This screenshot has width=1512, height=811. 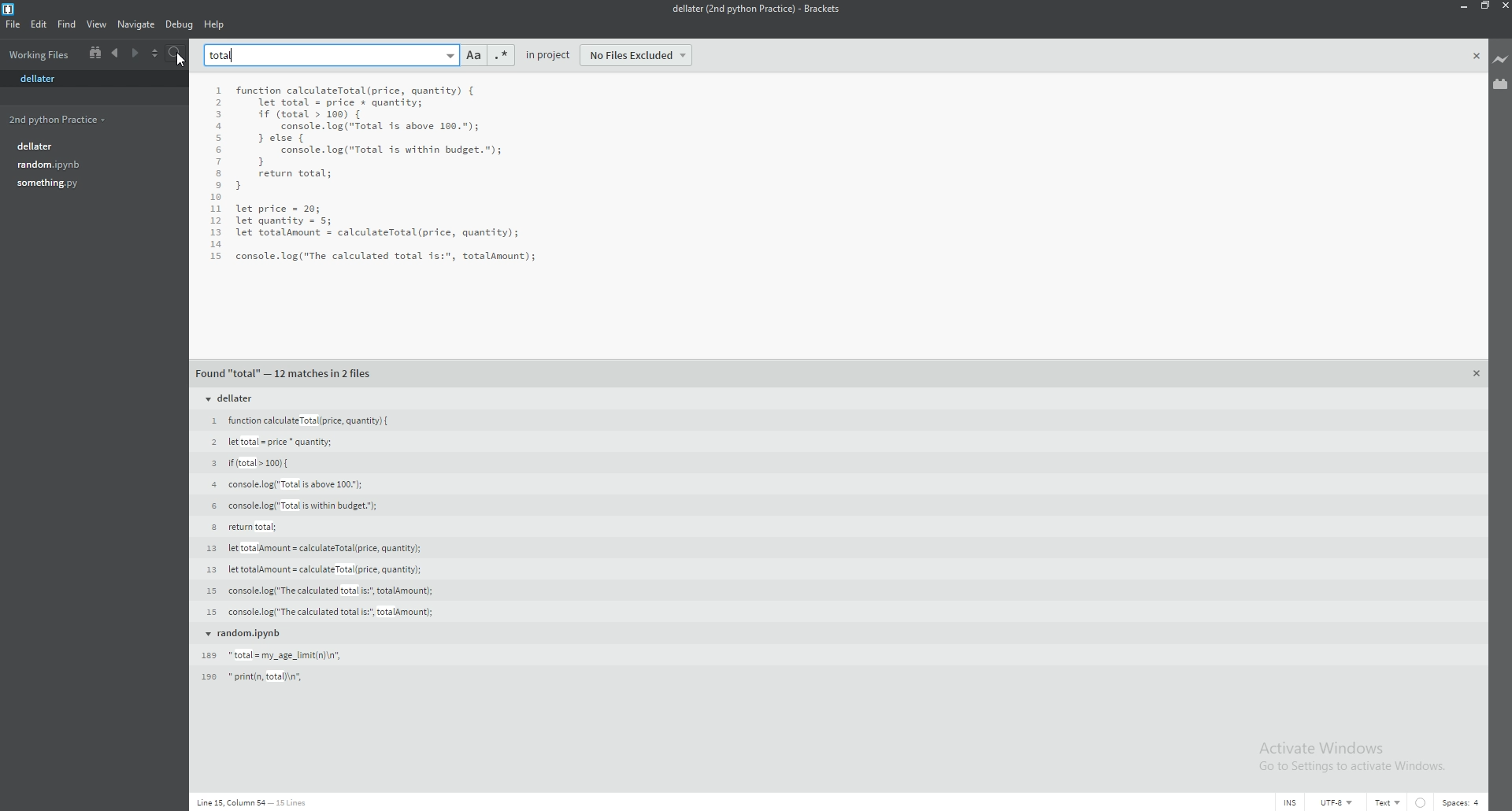 I want to click on resize, so click(x=1482, y=6).